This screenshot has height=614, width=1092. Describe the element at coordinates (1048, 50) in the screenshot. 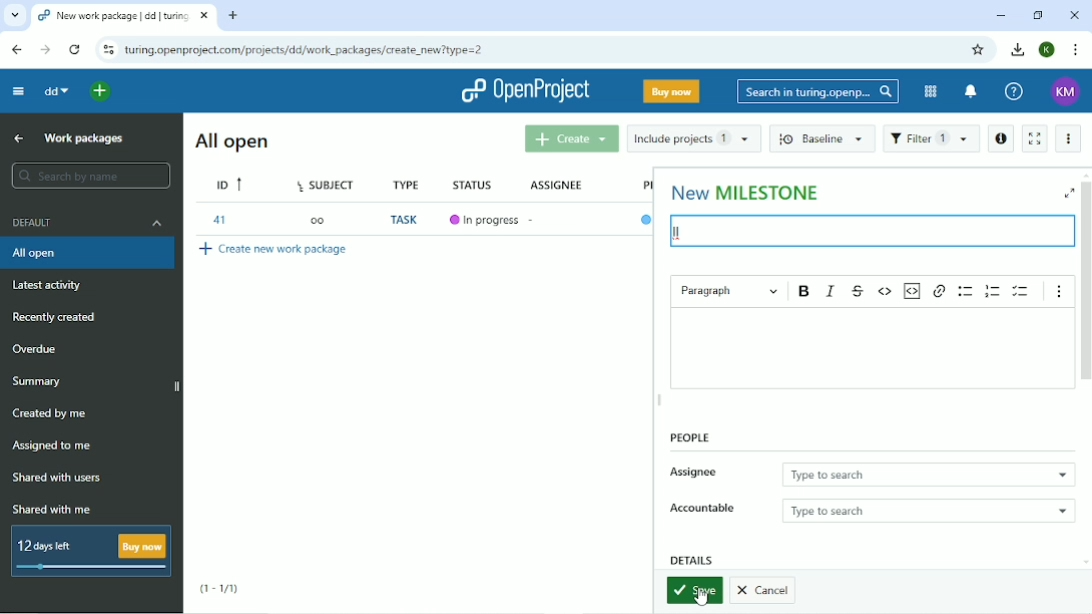

I see `K` at that location.